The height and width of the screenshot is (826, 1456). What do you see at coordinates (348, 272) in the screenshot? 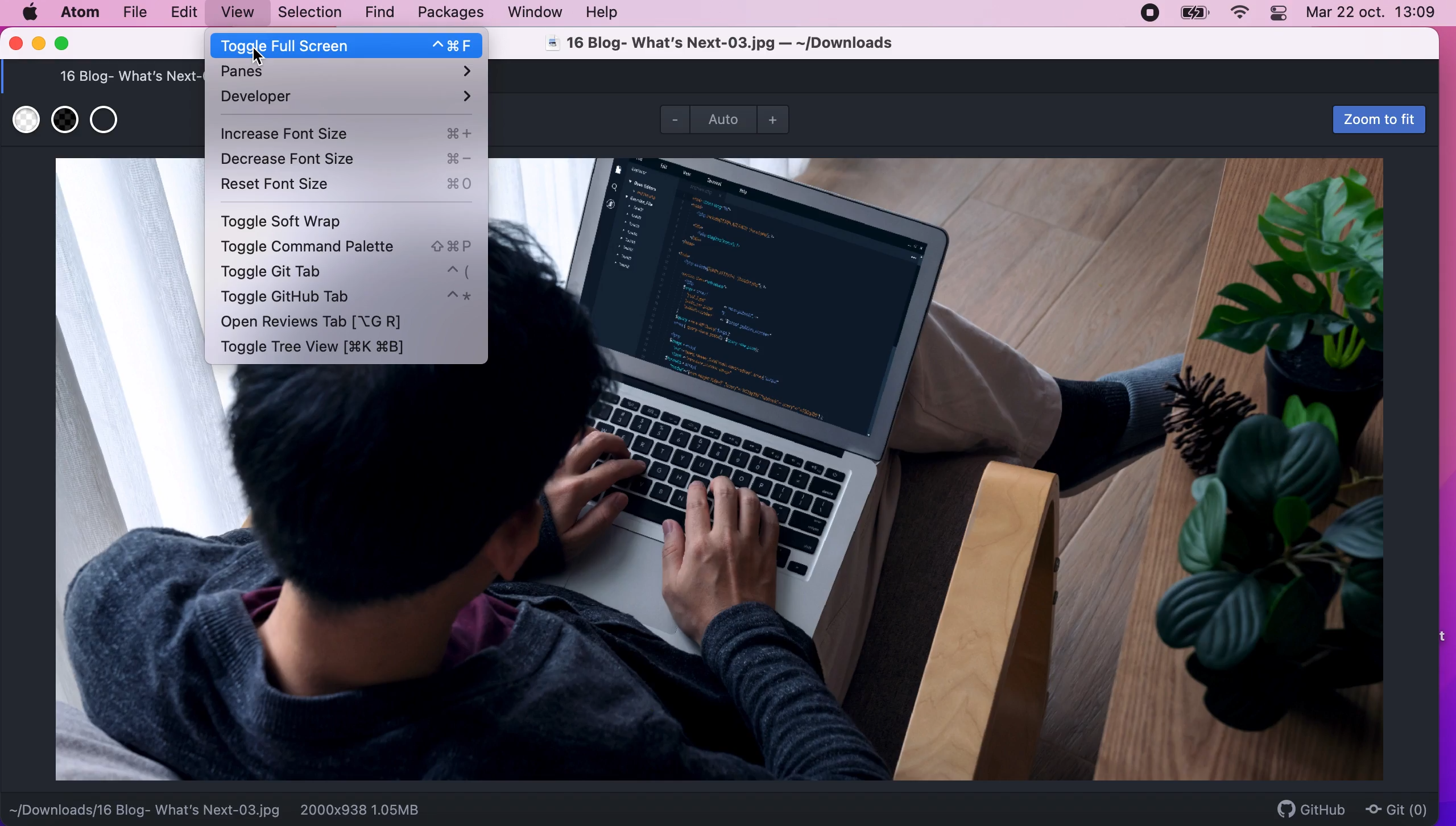
I see `toggle git tab` at bounding box center [348, 272].